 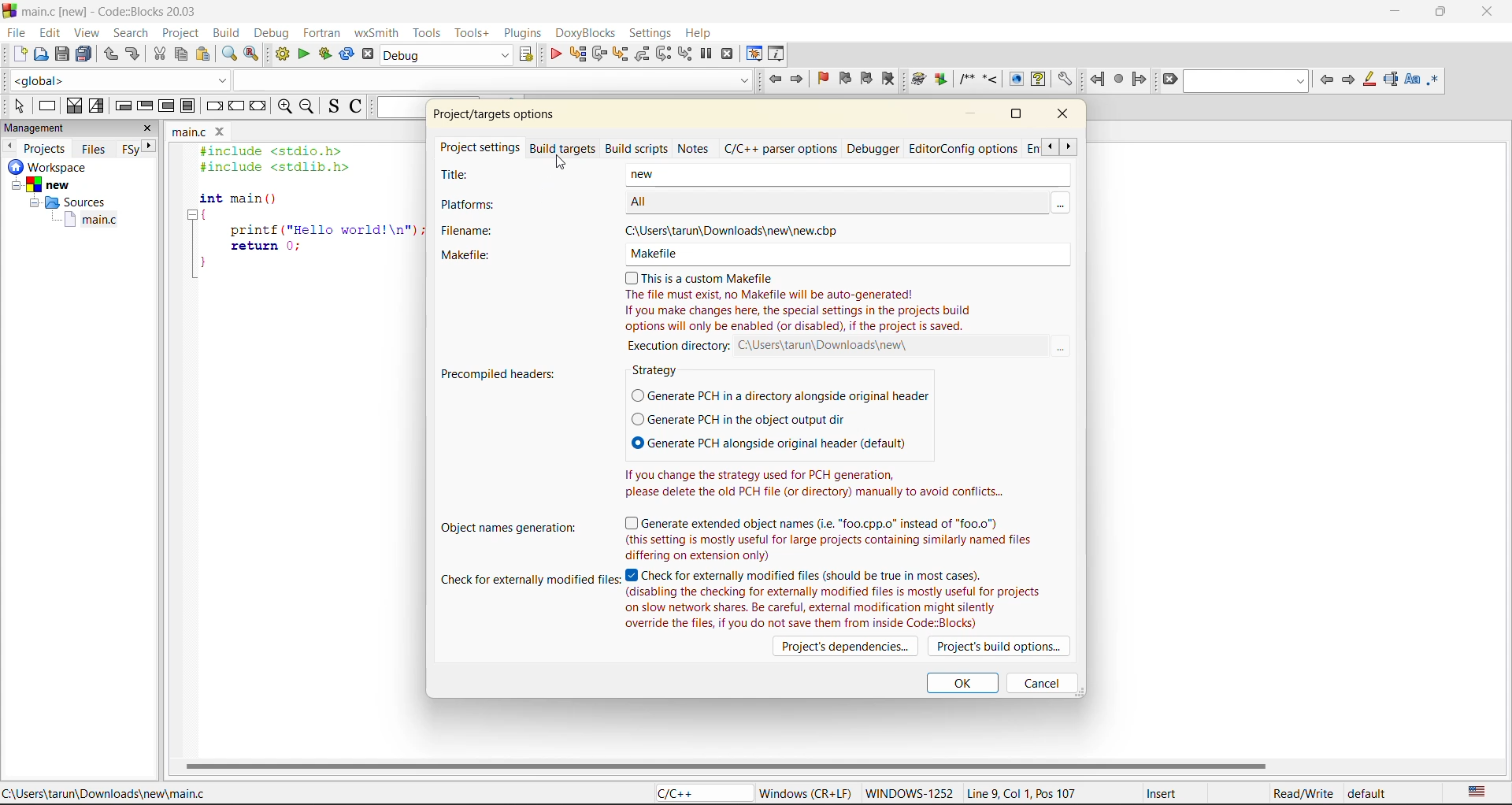 I want to click on edit, so click(x=50, y=33).